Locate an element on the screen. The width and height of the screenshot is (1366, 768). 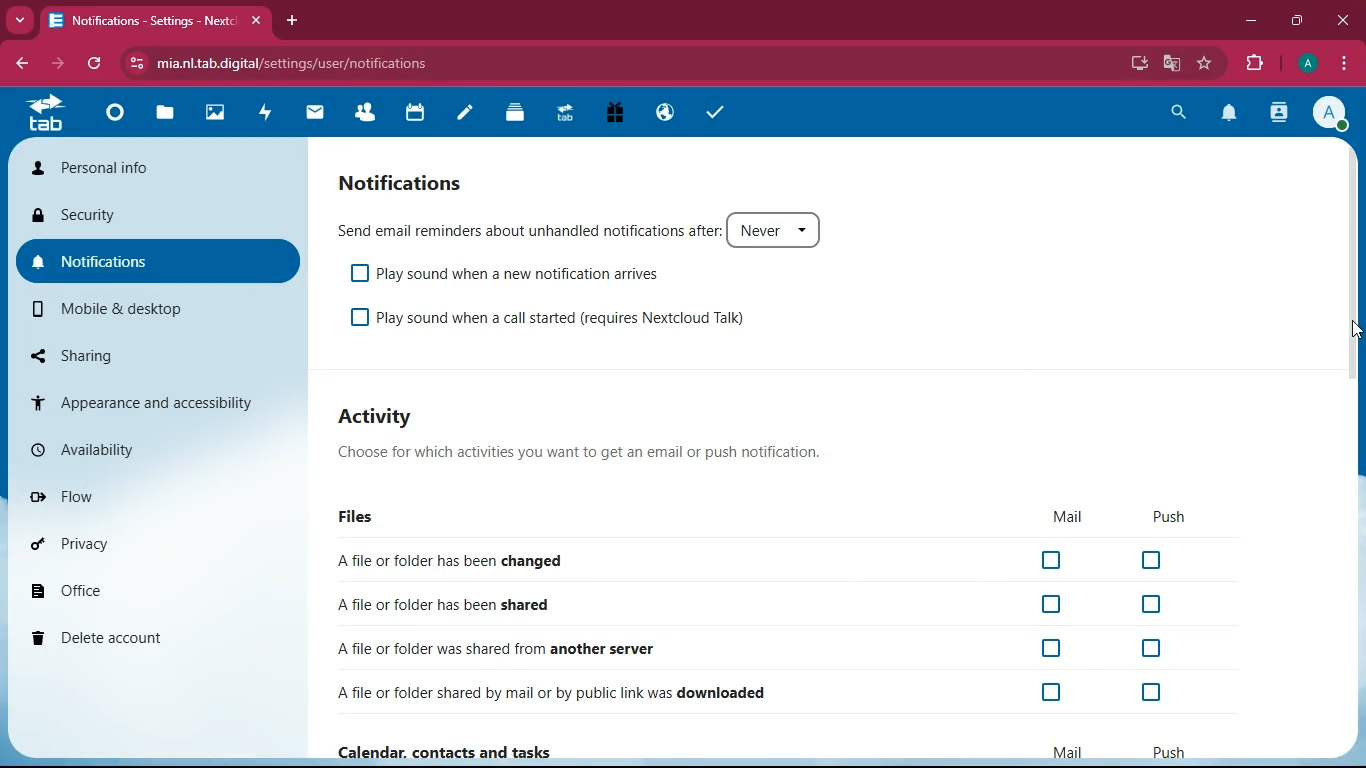
Send email reminders about unhandled notifications after is located at coordinates (524, 228).